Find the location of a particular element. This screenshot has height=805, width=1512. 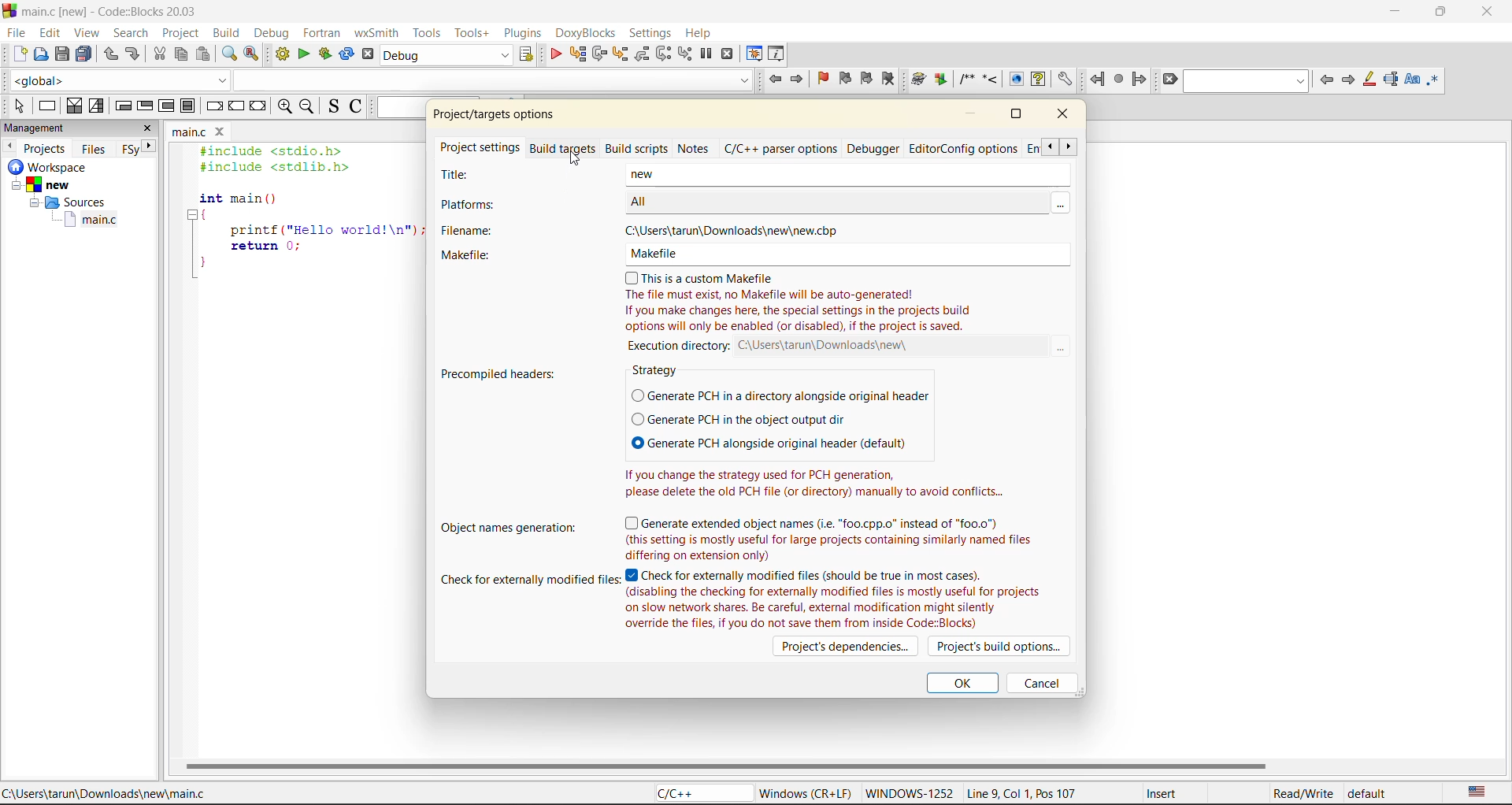

makefile is located at coordinates (482, 254).